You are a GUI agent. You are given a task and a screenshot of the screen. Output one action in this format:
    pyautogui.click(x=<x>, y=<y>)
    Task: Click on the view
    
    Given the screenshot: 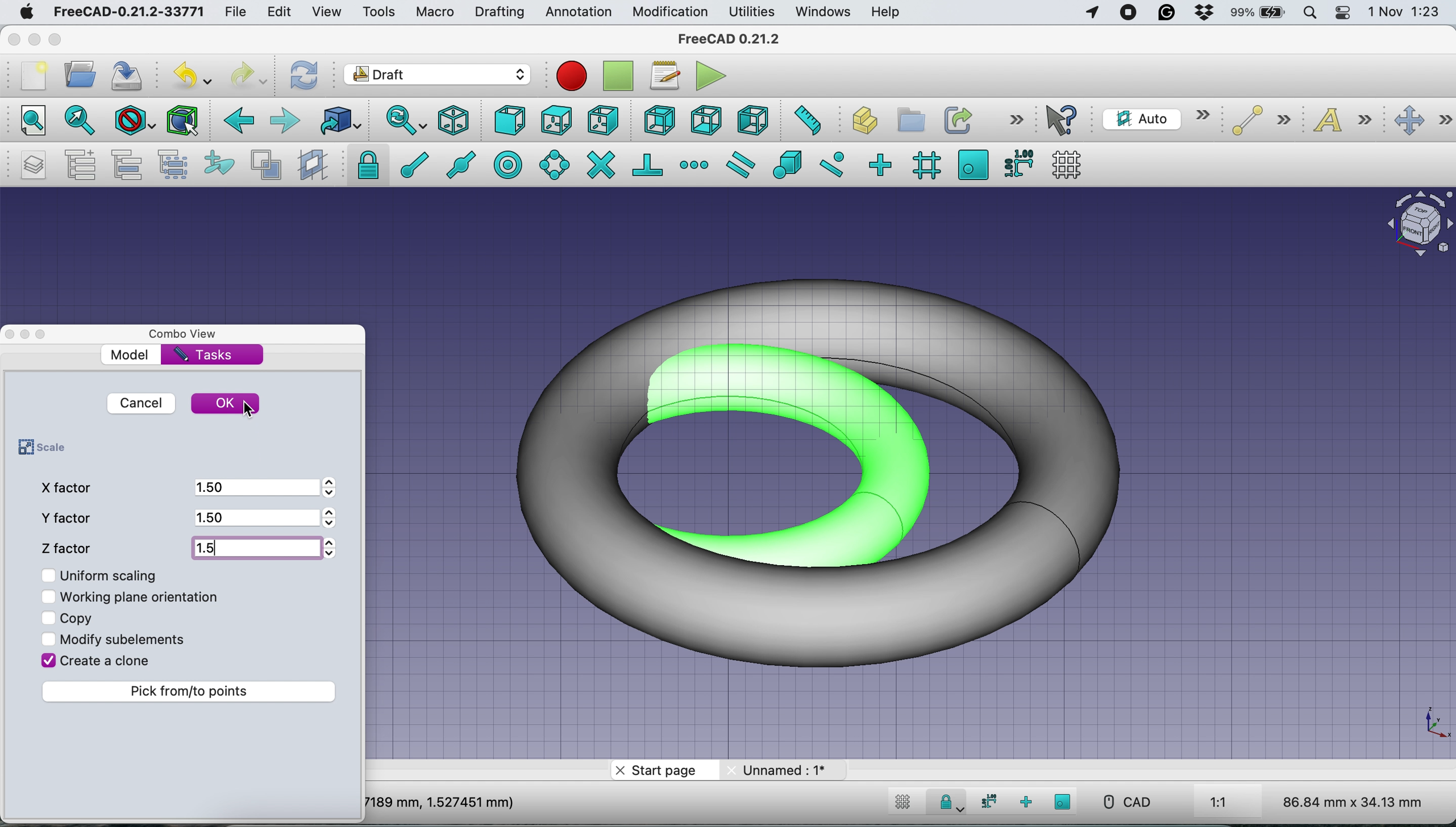 What is the action you would take?
    pyautogui.click(x=326, y=13)
    